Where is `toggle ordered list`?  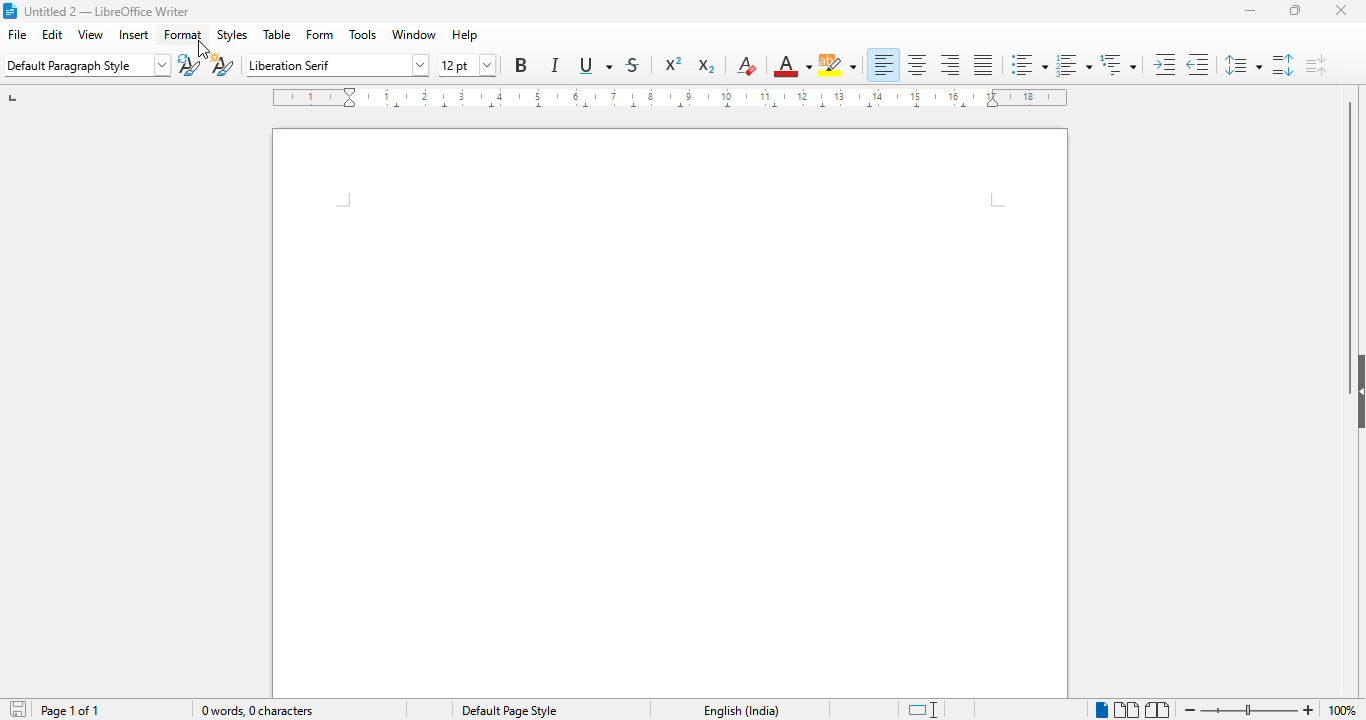
toggle ordered list is located at coordinates (1072, 65).